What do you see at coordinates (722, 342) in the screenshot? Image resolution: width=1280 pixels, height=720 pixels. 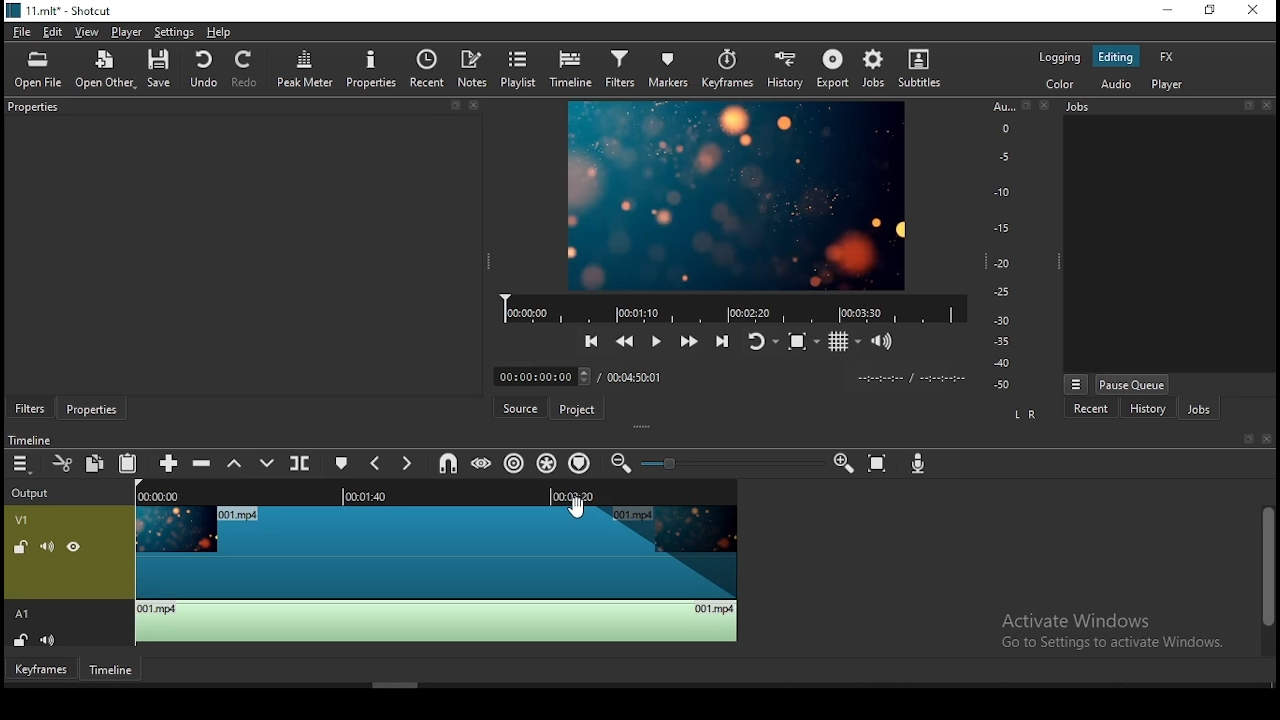 I see `skip to the next point` at bounding box center [722, 342].